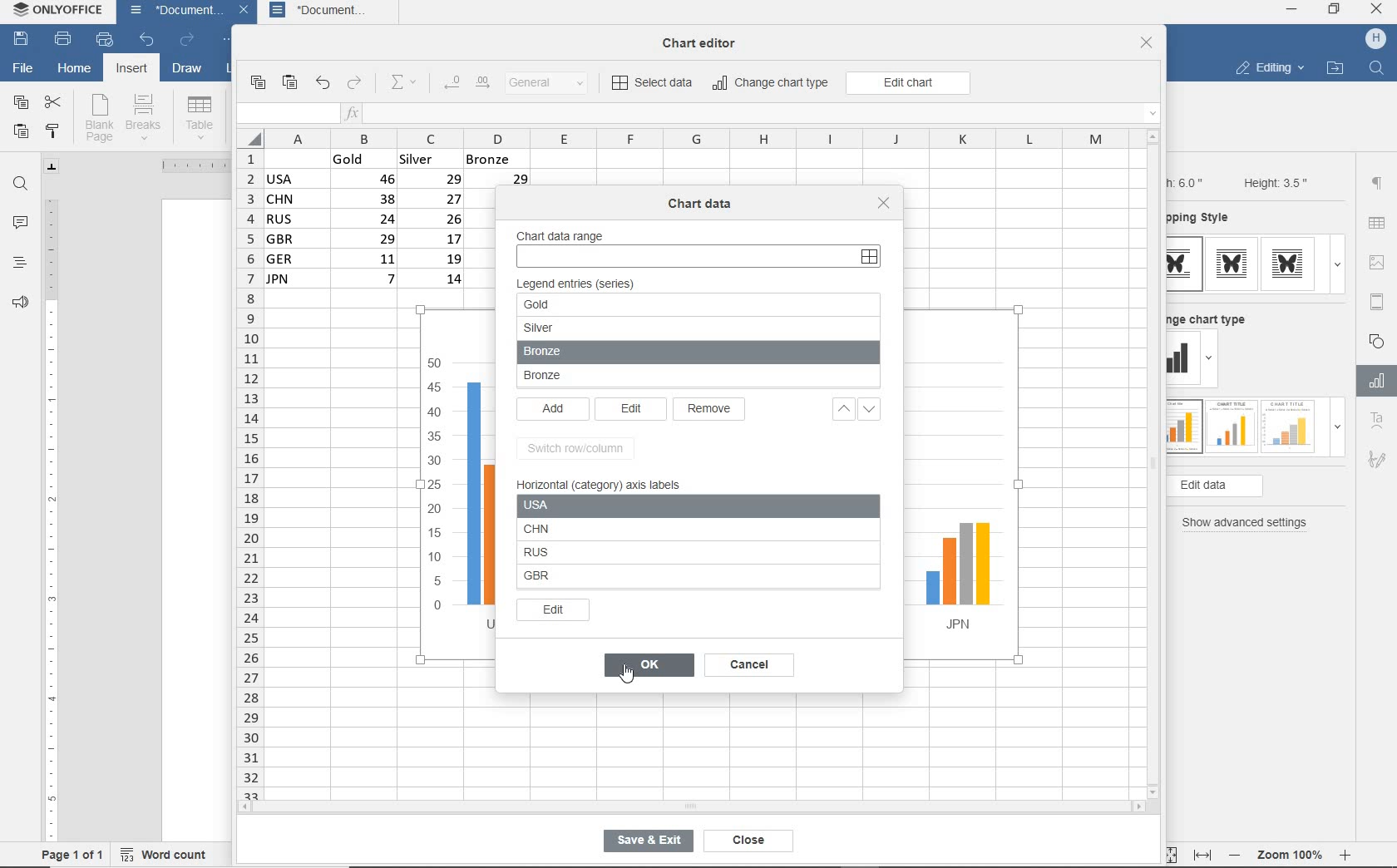 This screenshot has height=868, width=1397. What do you see at coordinates (1376, 463) in the screenshot?
I see `Signature settings` at bounding box center [1376, 463].